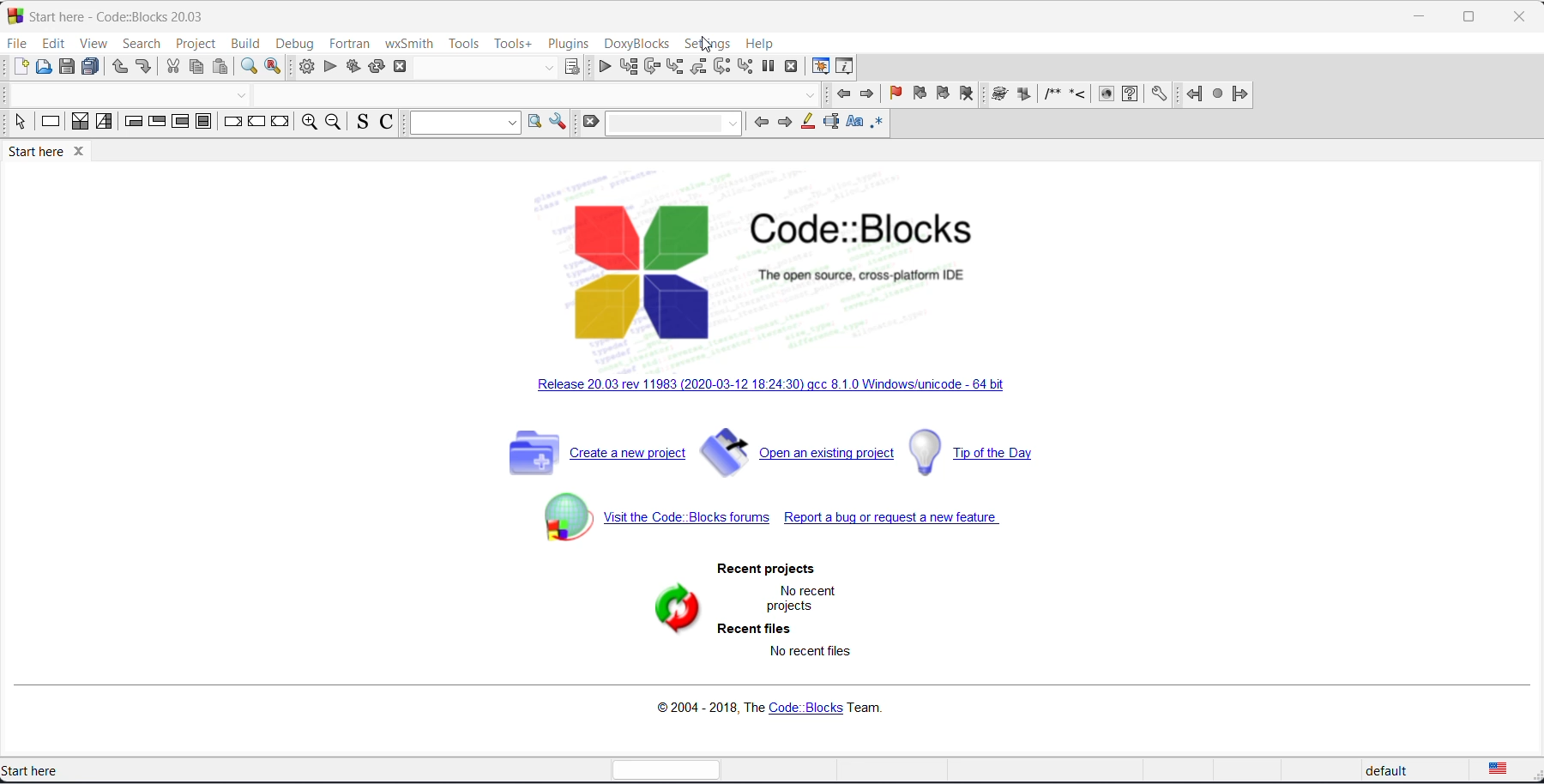 The height and width of the screenshot is (784, 1544). Describe the element at coordinates (846, 67) in the screenshot. I see `various info` at that location.